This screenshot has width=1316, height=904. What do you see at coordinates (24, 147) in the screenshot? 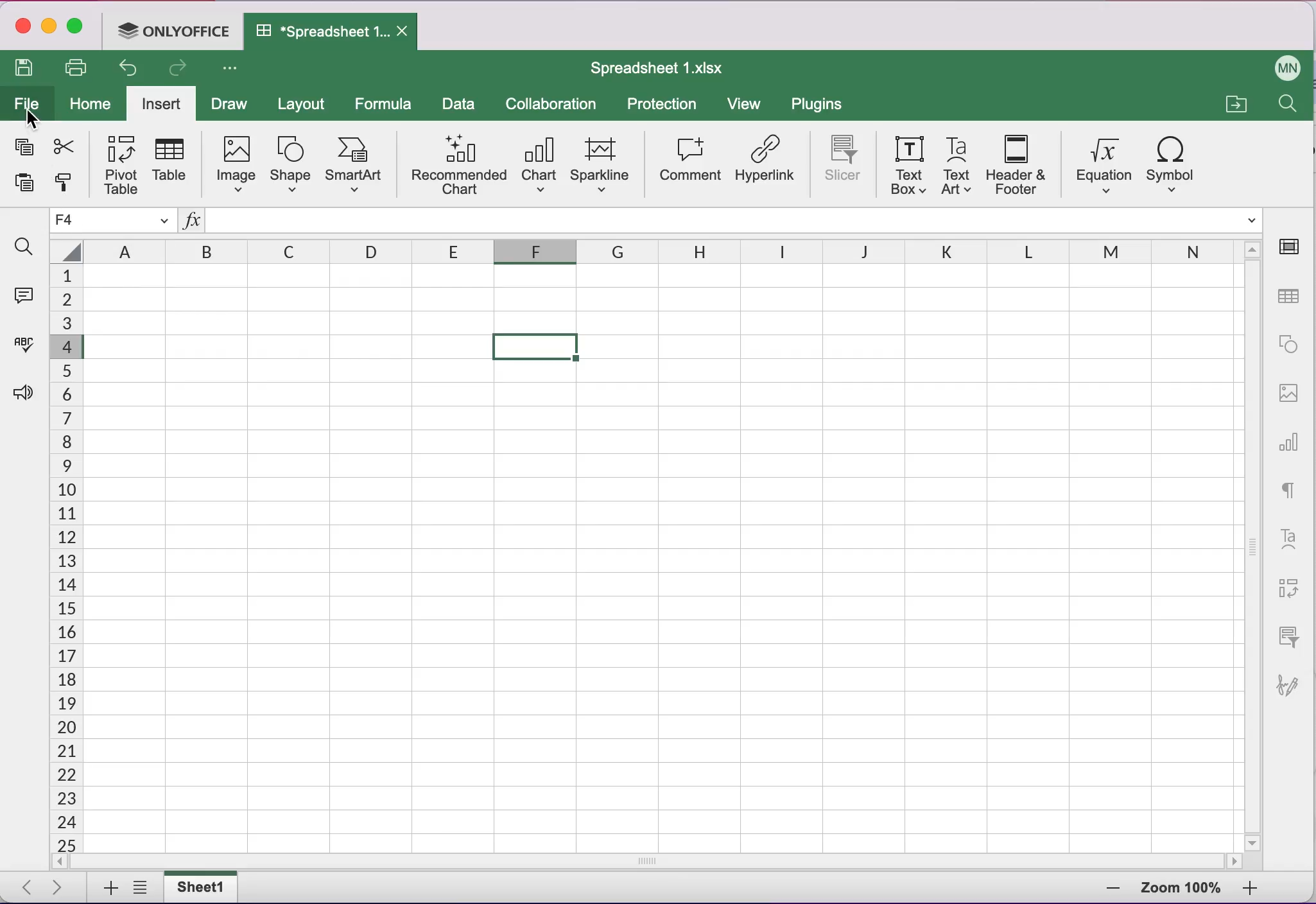
I see `copy` at bounding box center [24, 147].